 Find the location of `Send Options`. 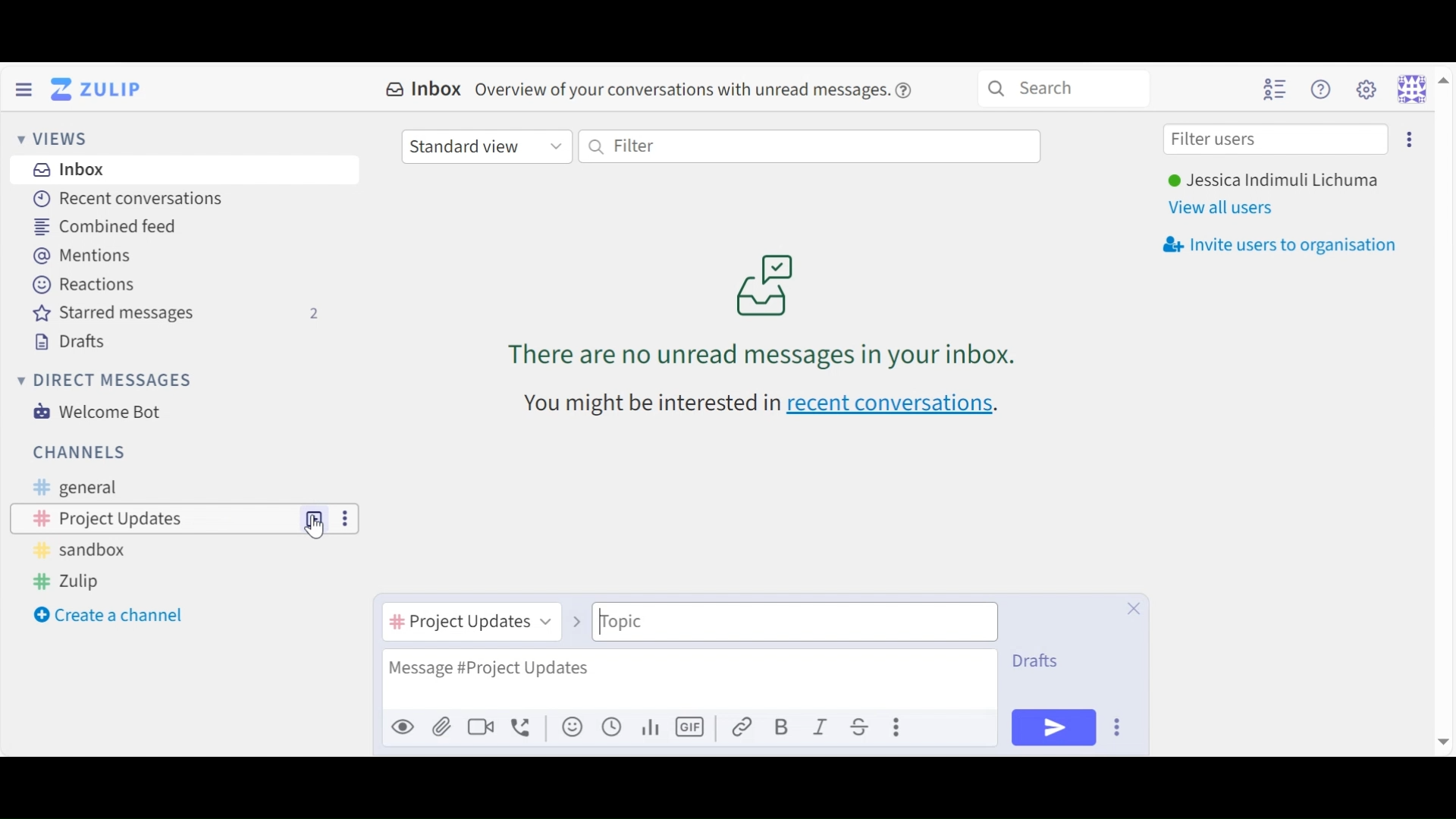

Send Options is located at coordinates (1119, 726).